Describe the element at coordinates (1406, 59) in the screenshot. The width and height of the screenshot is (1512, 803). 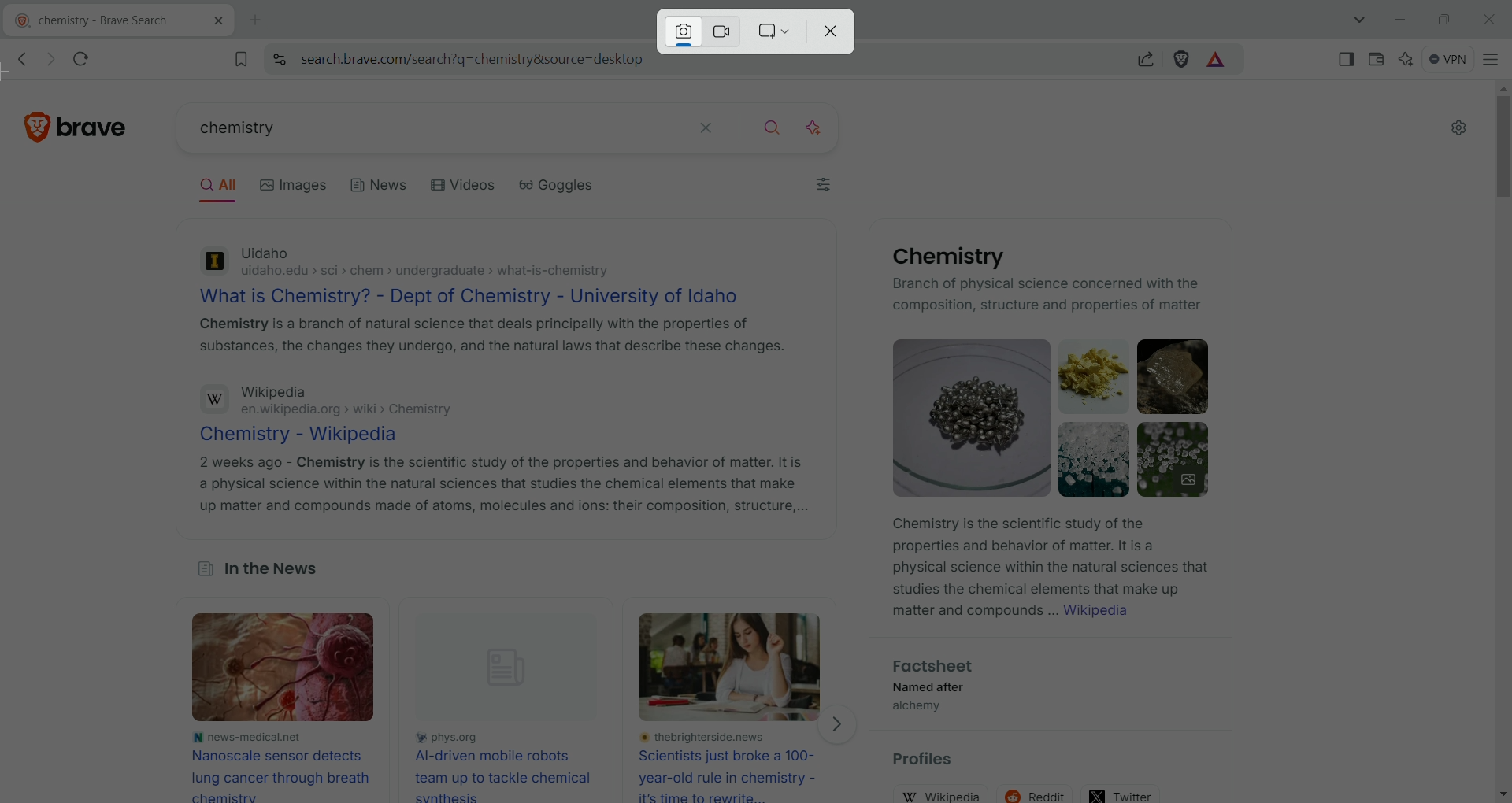
I see `leo AI` at that location.